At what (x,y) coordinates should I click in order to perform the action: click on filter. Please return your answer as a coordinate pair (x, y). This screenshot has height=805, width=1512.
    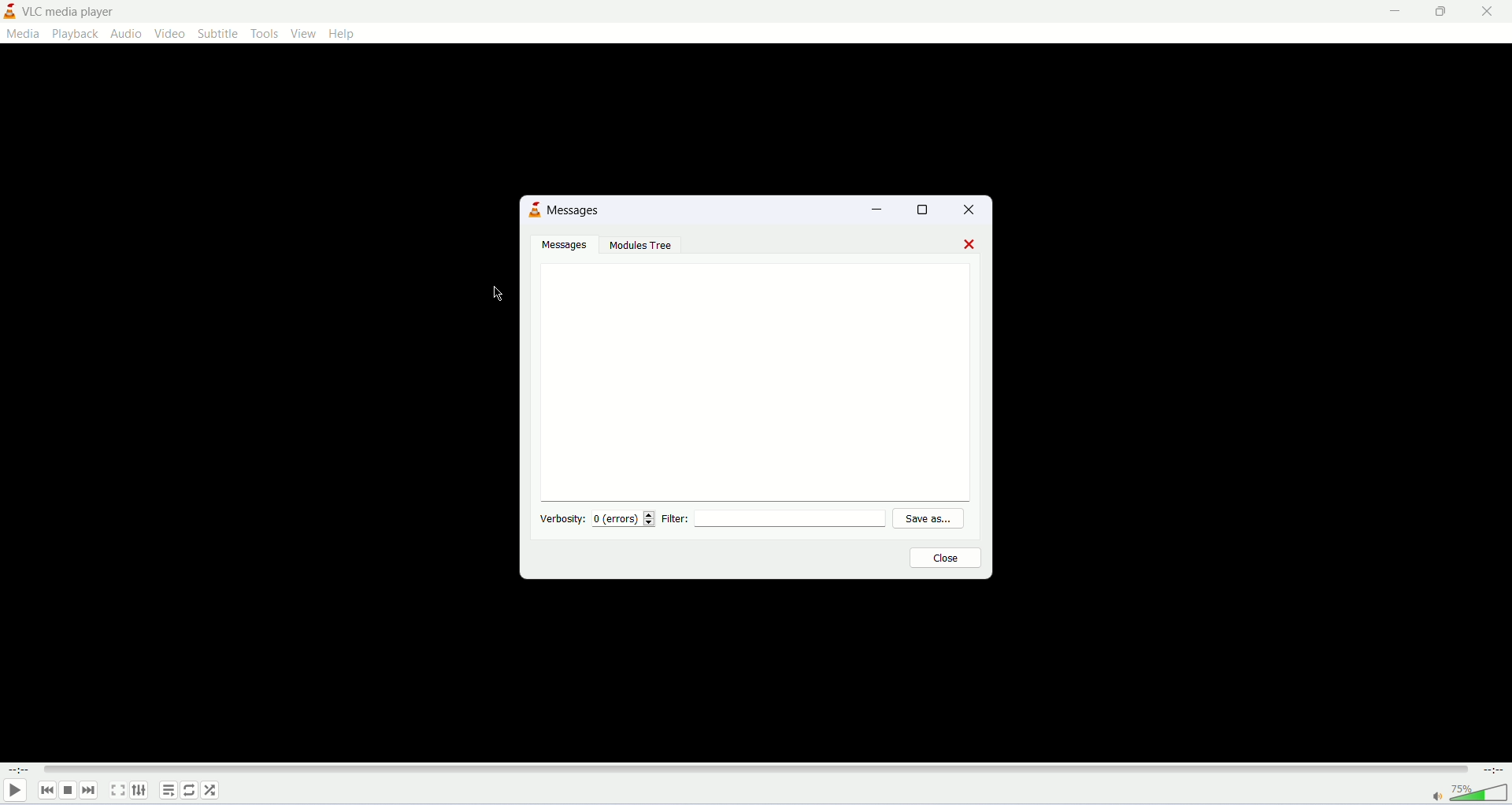
    Looking at the image, I should click on (779, 520).